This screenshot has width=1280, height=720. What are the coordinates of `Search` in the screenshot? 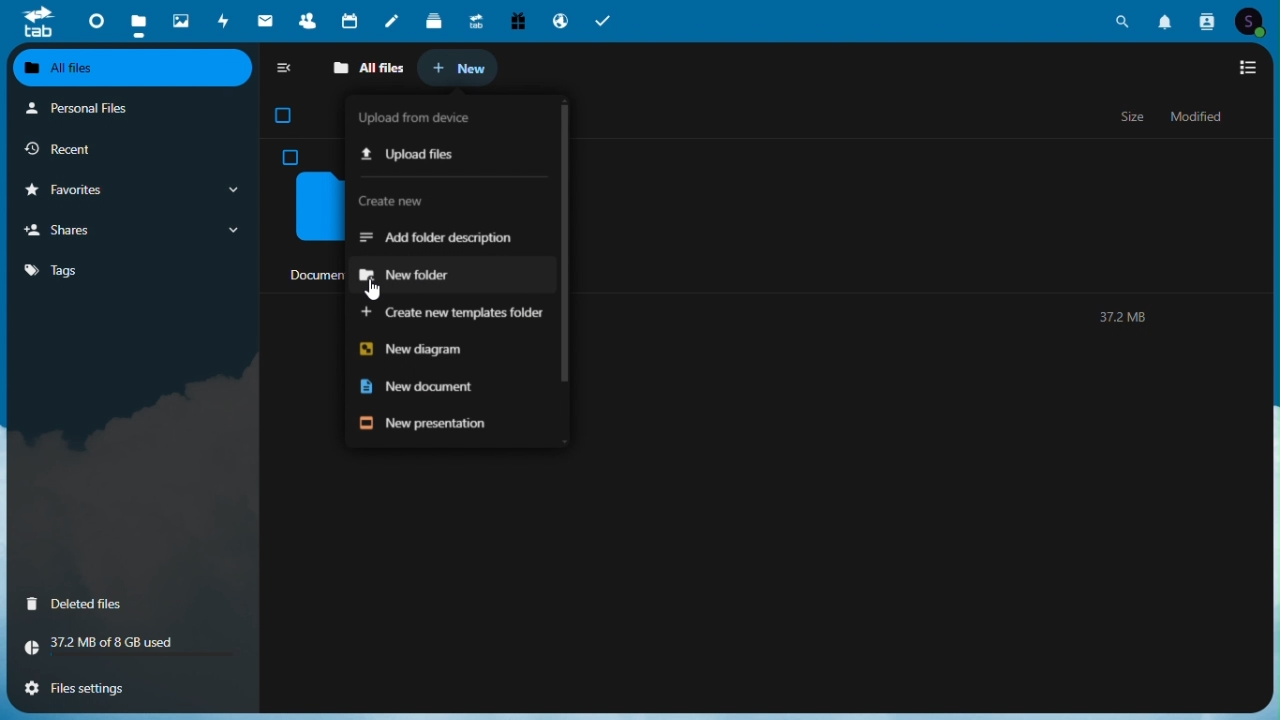 It's located at (1126, 18).